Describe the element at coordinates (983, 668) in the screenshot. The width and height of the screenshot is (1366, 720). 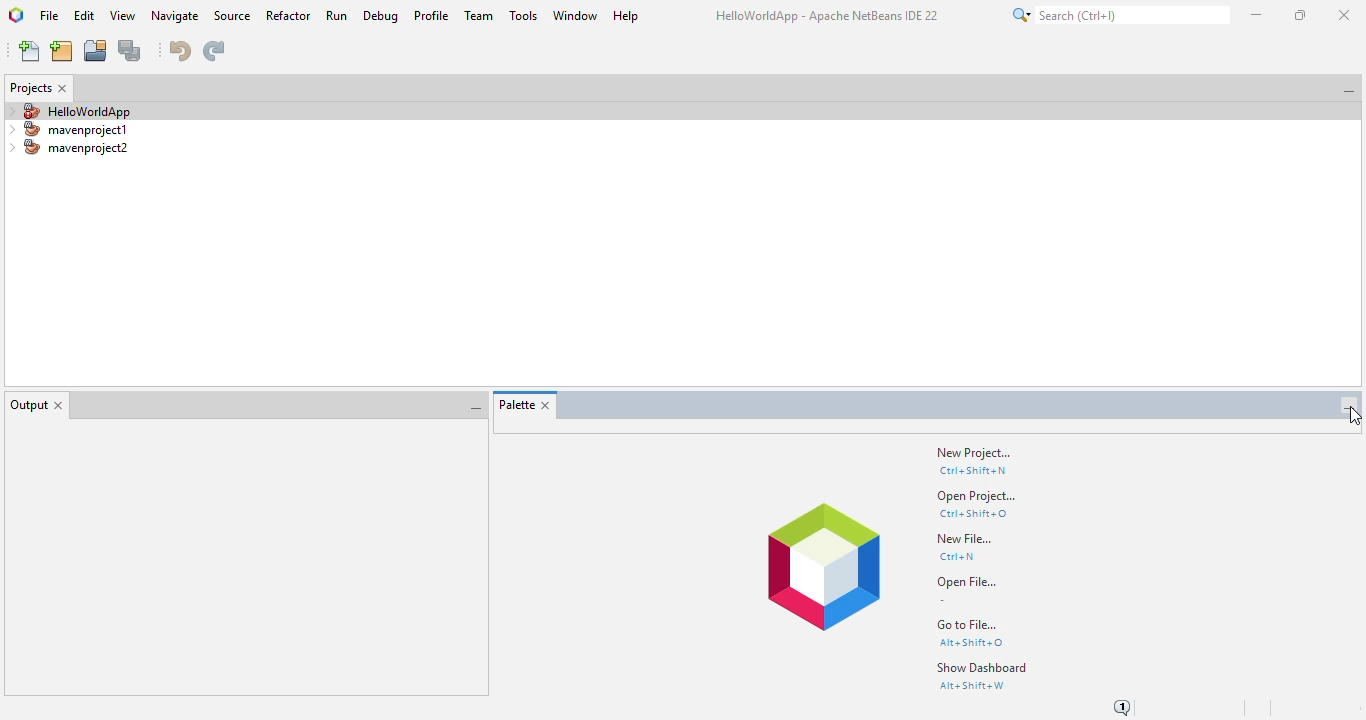
I see `show dashboard` at that location.